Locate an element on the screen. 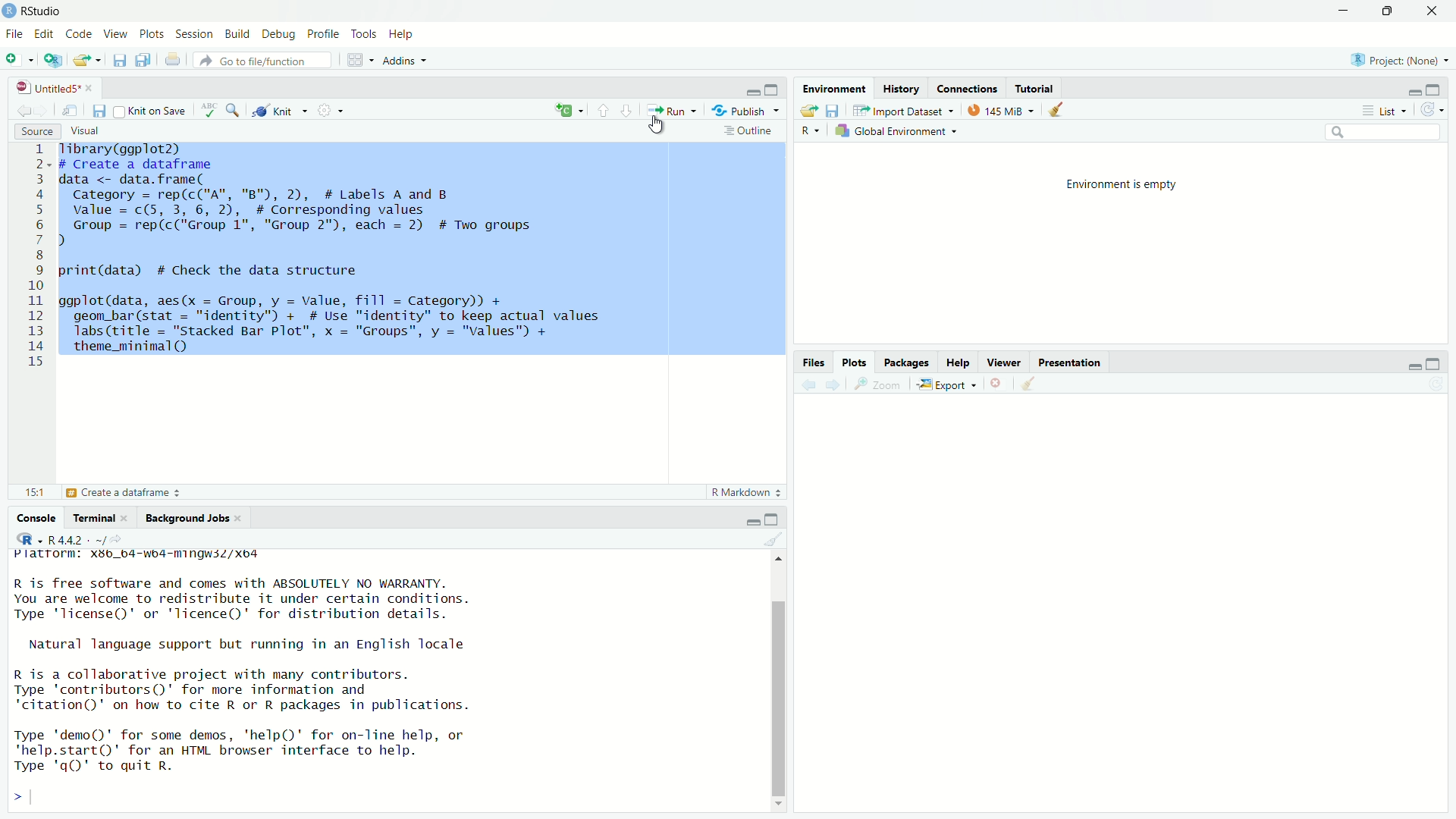  Minimize is located at coordinates (1411, 365).